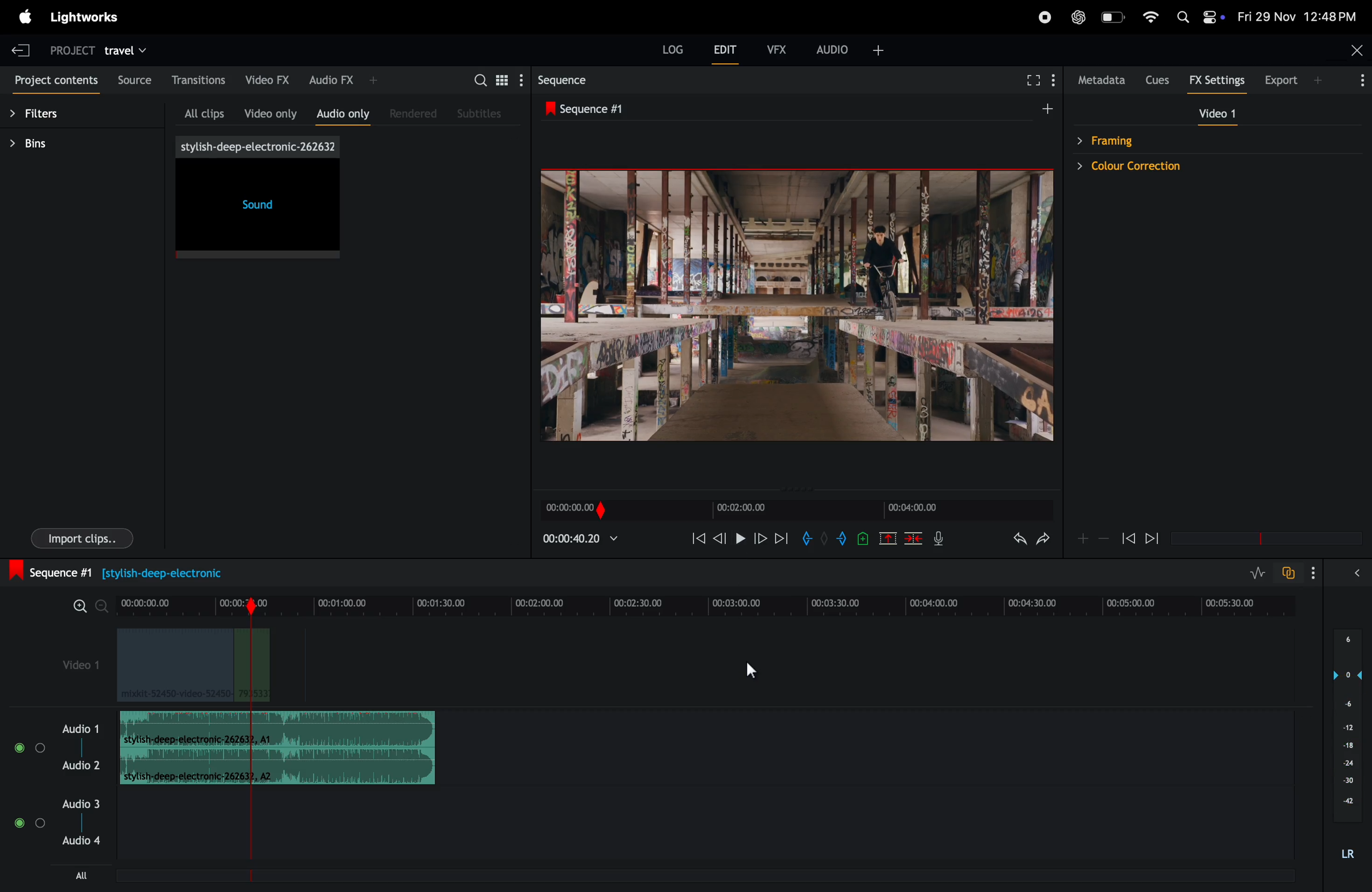 This screenshot has width=1372, height=892. What do you see at coordinates (40, 747) in the screenshot?
I see `Toggle` at bounding box center [40, 747].